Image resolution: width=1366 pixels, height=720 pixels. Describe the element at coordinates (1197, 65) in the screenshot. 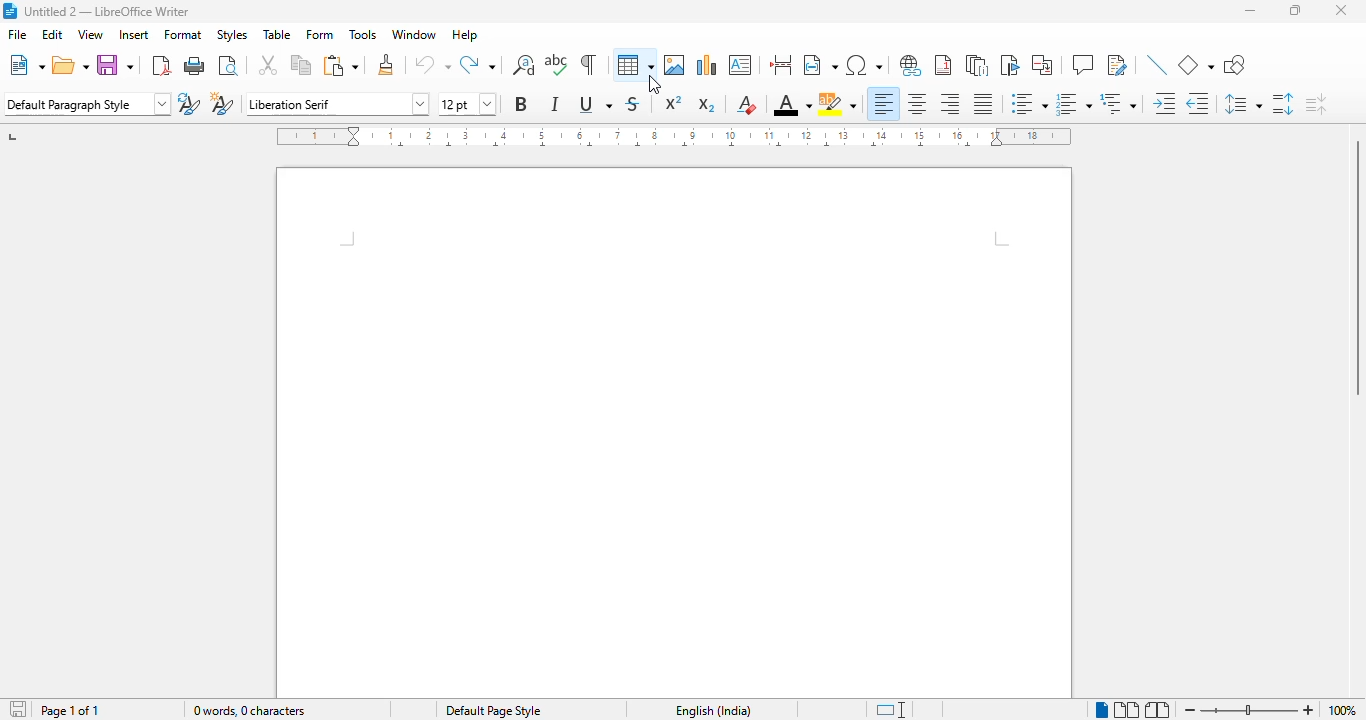

I see `basic shapes` at that location.